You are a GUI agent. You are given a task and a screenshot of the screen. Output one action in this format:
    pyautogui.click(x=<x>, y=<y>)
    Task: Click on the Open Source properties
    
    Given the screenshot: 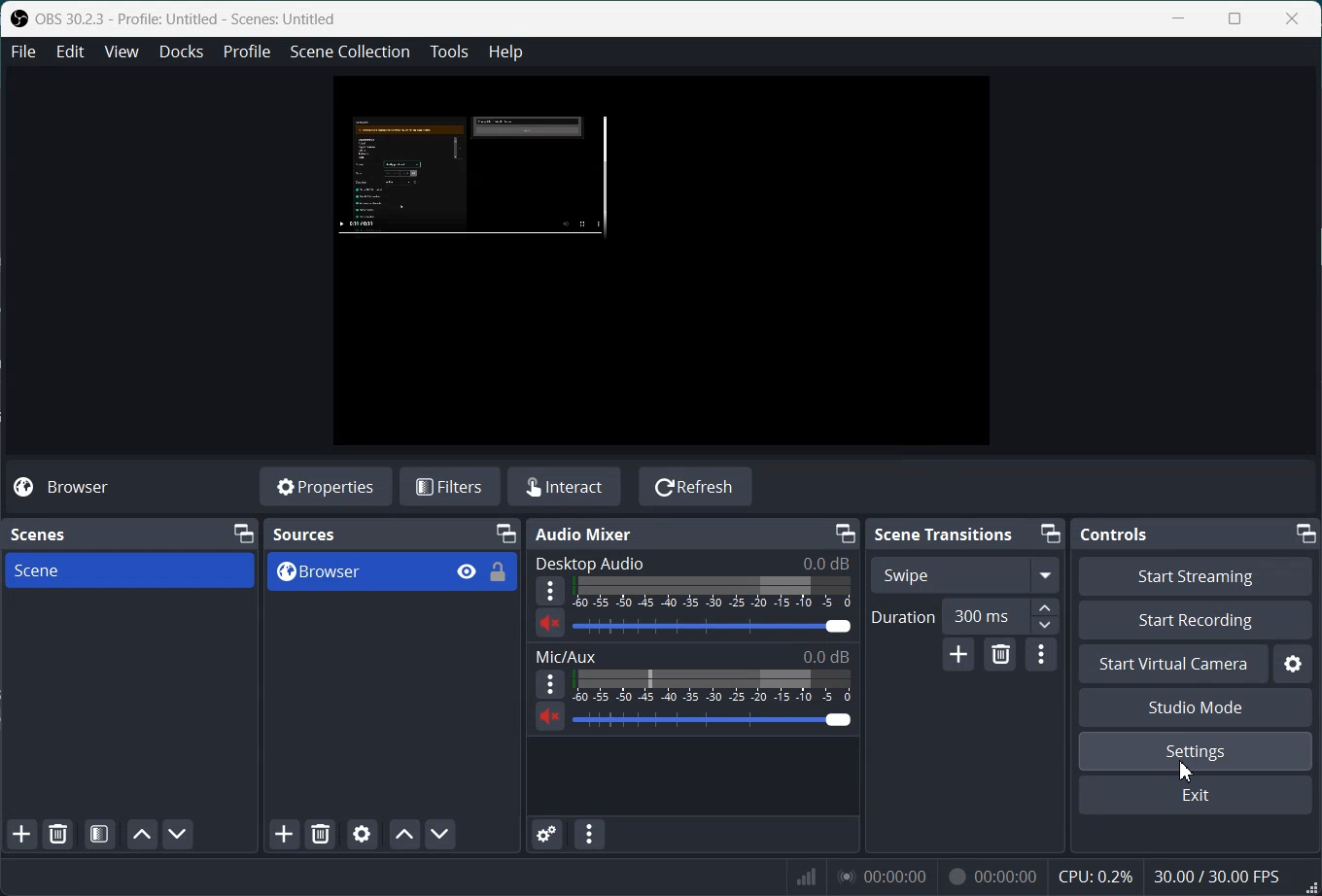 What is the action you would take?
    pyautogui.click(x=361, y=834)
    